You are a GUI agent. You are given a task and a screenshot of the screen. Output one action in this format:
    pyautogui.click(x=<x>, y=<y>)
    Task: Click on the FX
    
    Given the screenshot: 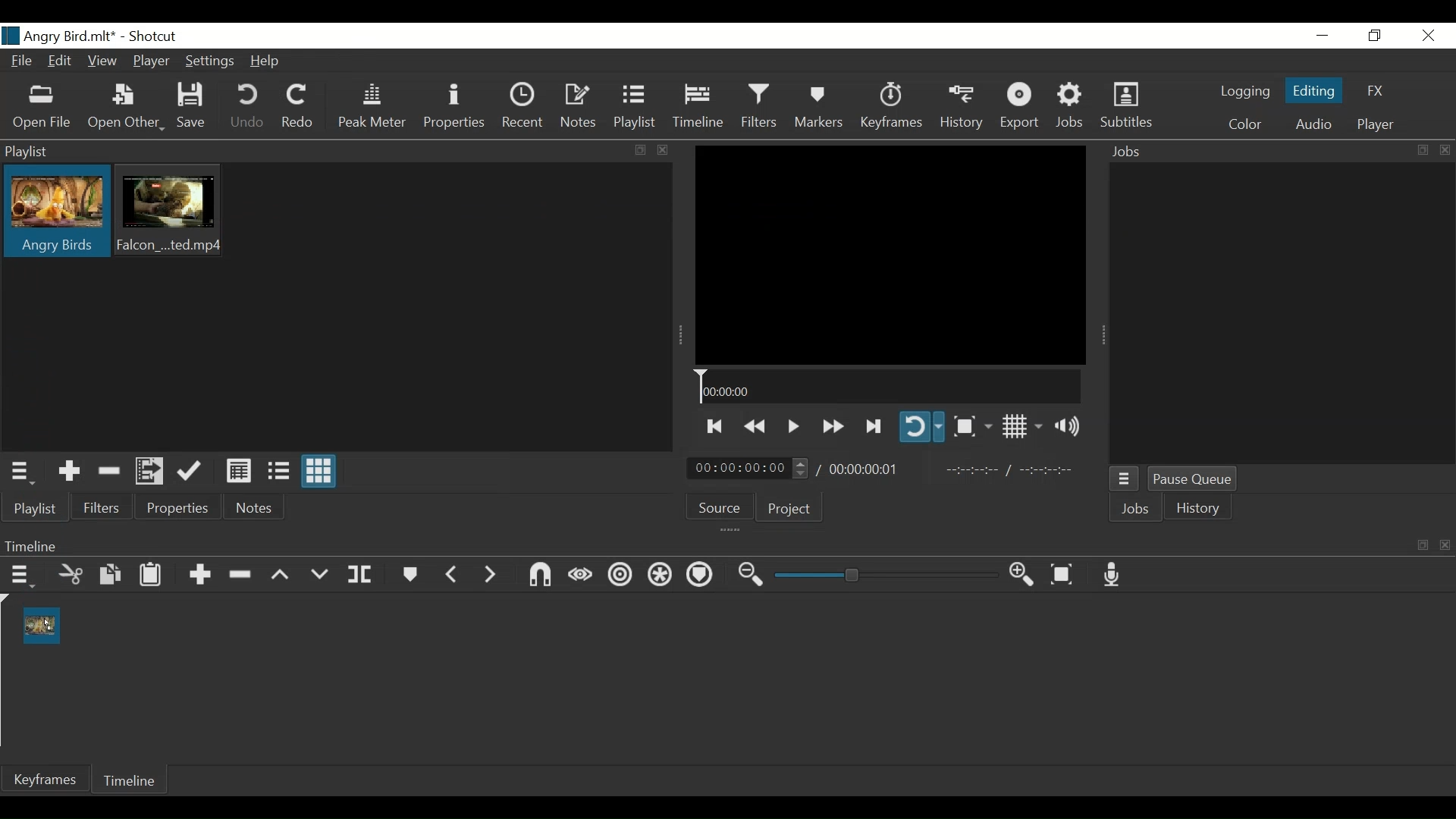 What is the action you would take?
    pyautogui.click(x=1375, y=90)
    